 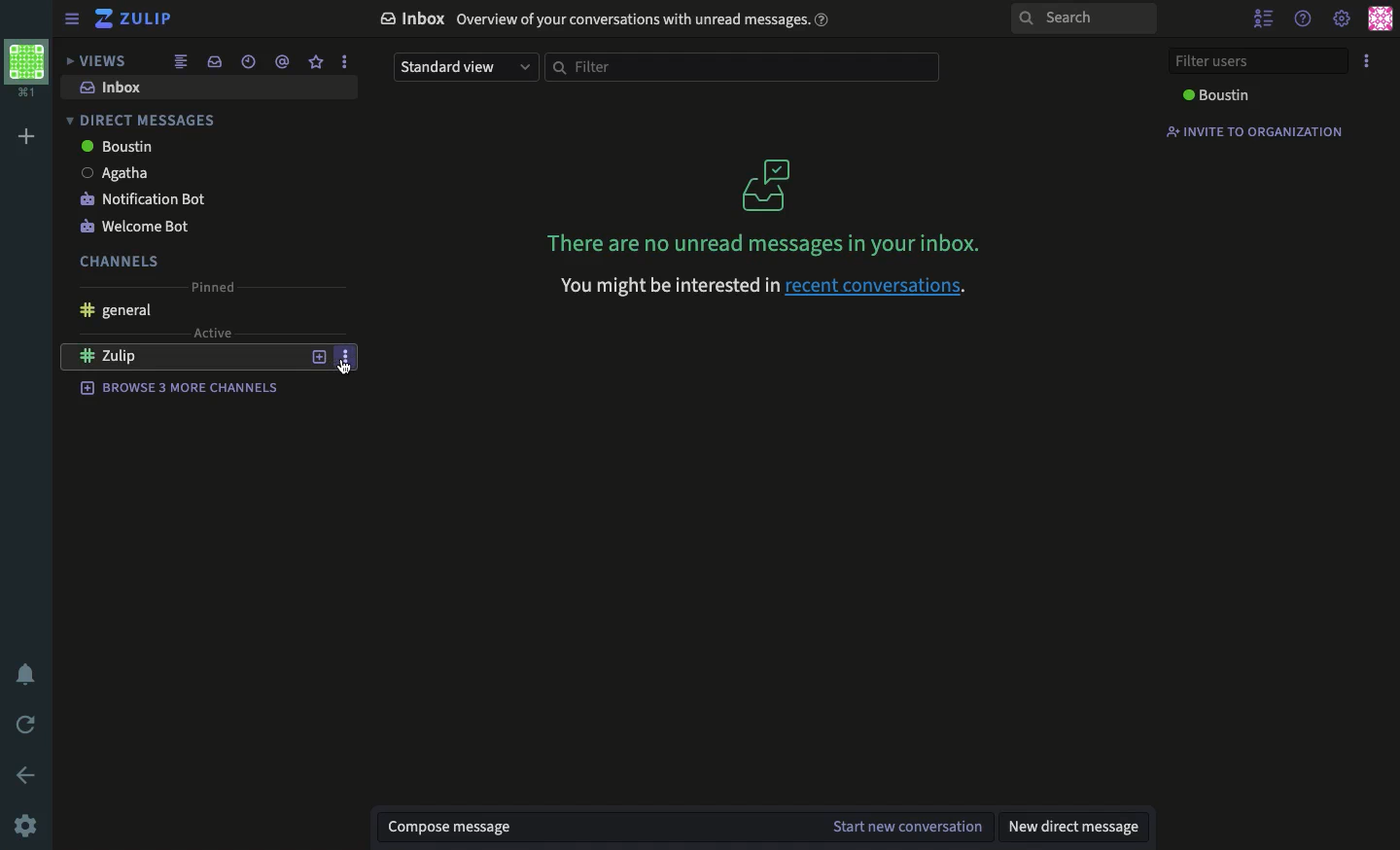 I want to click on settings, so click(x=26, y=824).